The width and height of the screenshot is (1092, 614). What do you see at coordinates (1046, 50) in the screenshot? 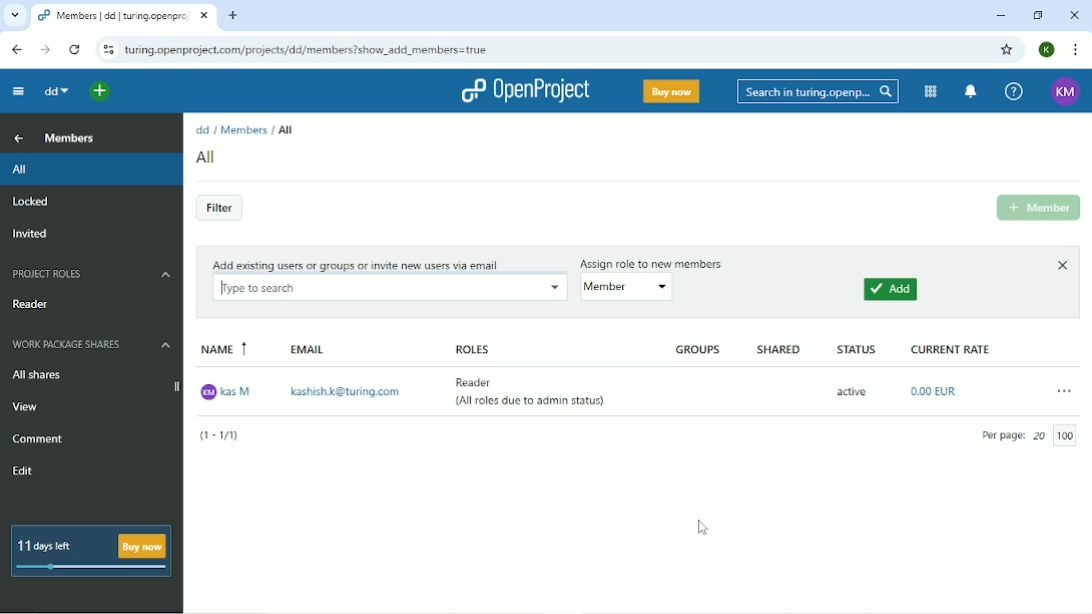
I see `Account` at bounding box center [1046, 50].